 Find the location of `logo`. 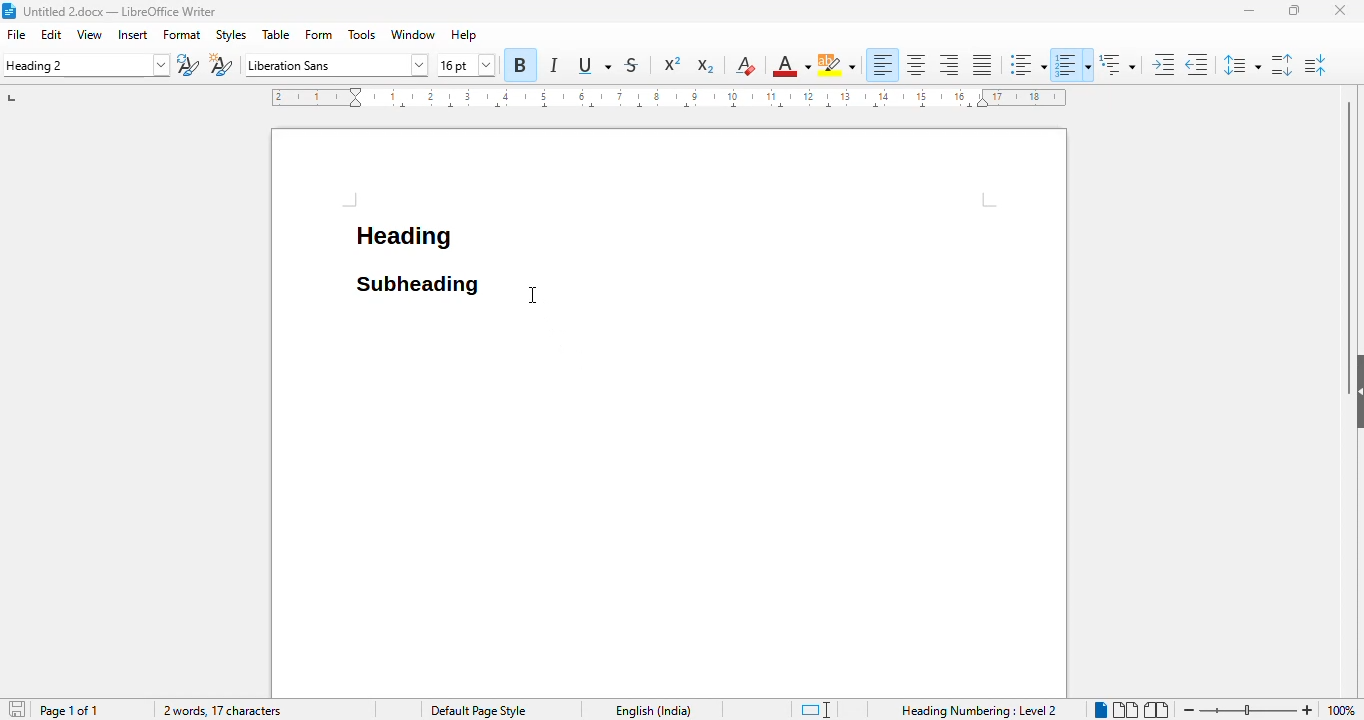

logo is located at coordinates (9, 11).